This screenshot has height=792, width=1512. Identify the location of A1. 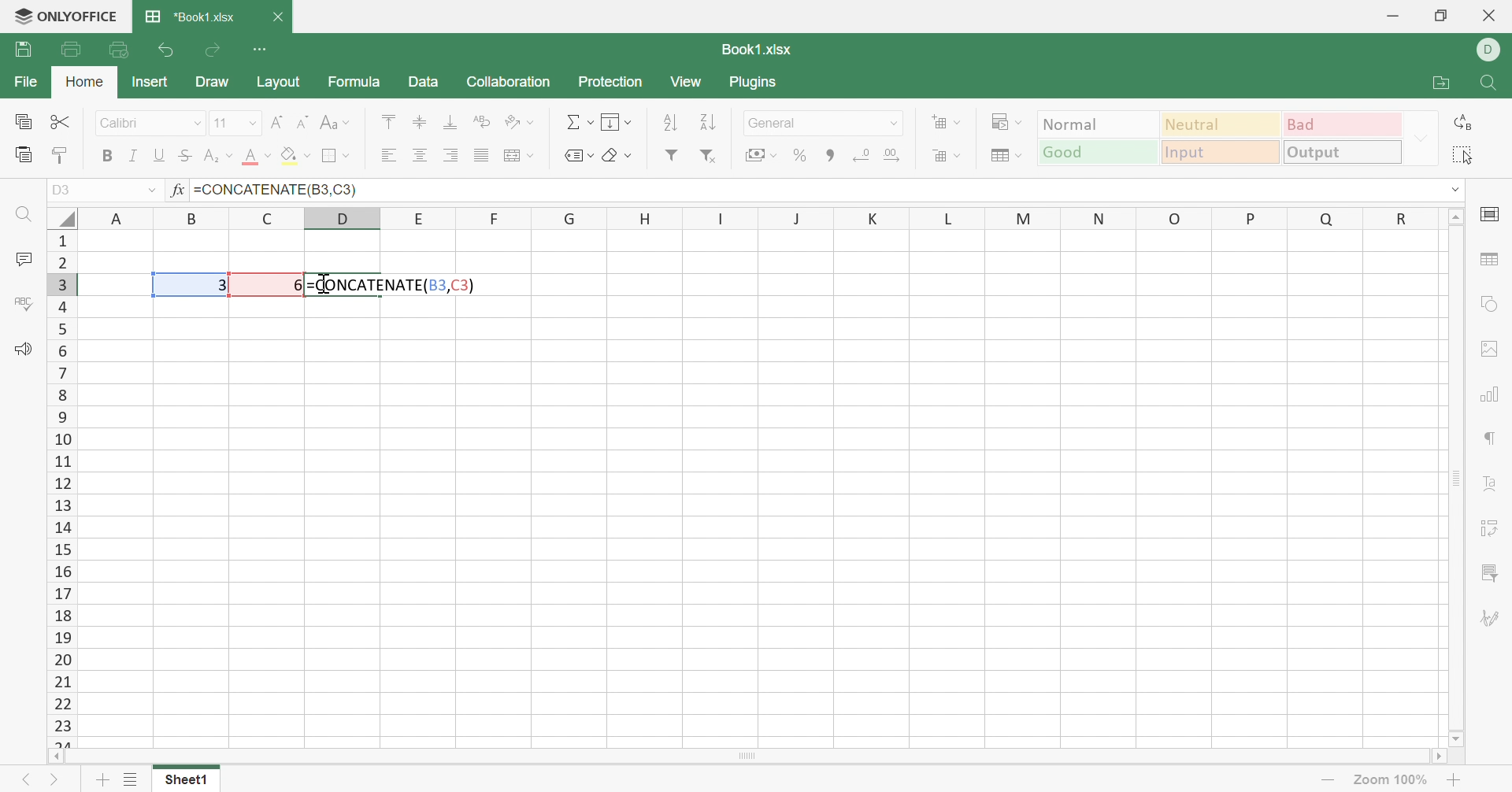
(66, 191).